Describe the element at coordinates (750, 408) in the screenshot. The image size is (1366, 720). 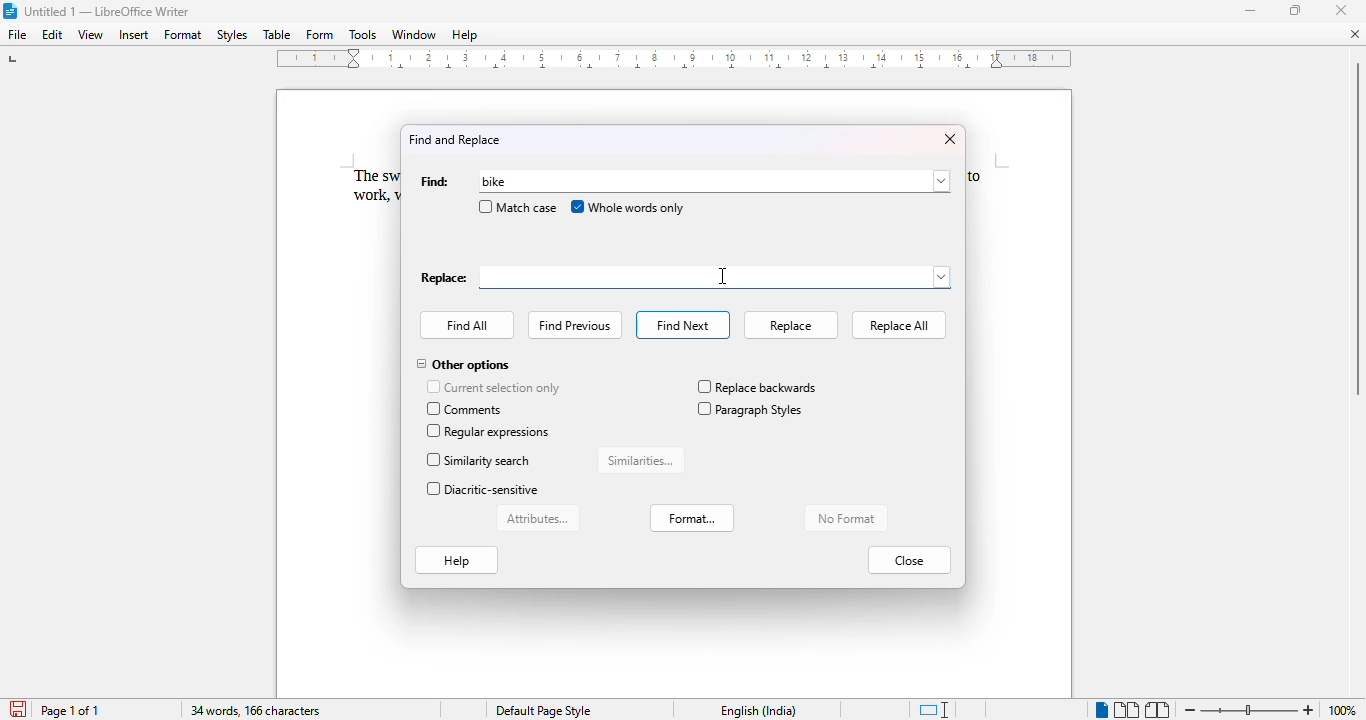
I see `paragraph styles` at that location.